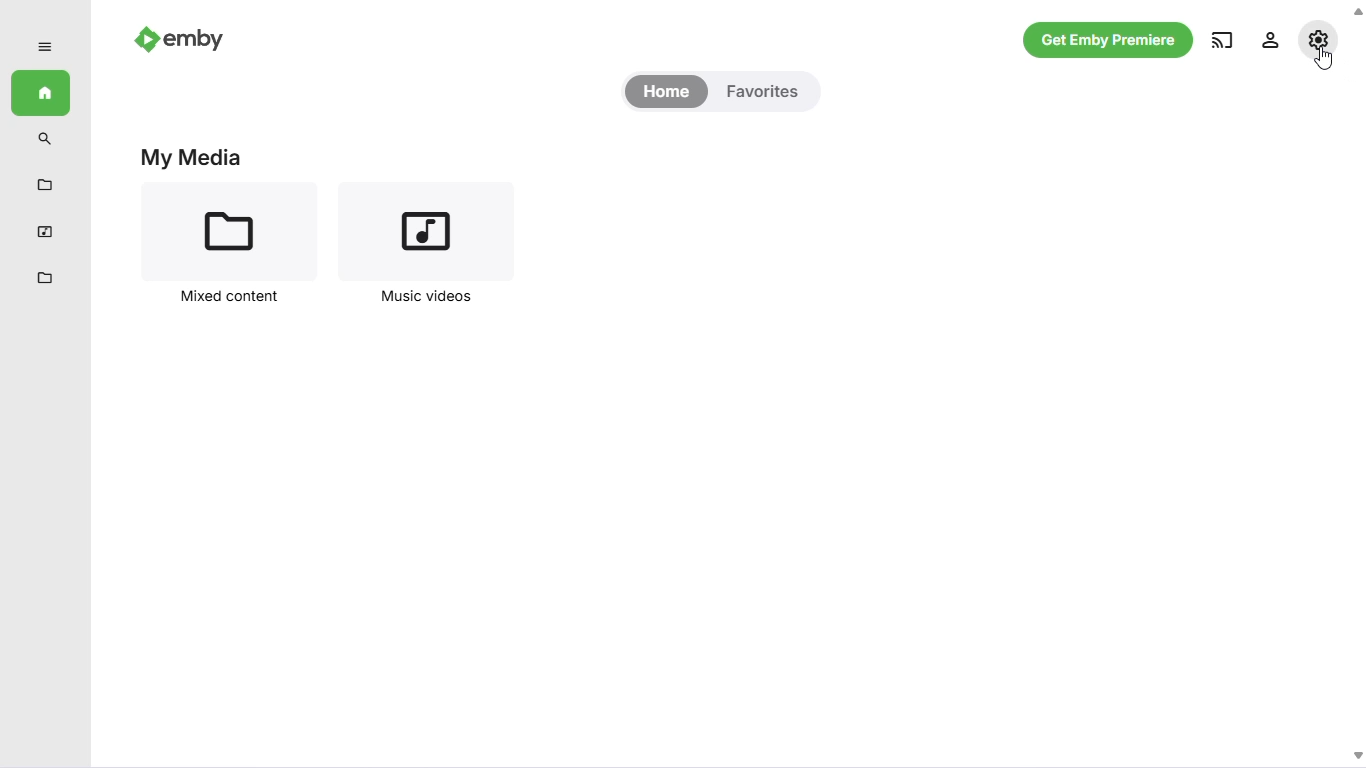  Describe the element at coordinates (1320, 36) in the screenshot. I see `settings` at that location.